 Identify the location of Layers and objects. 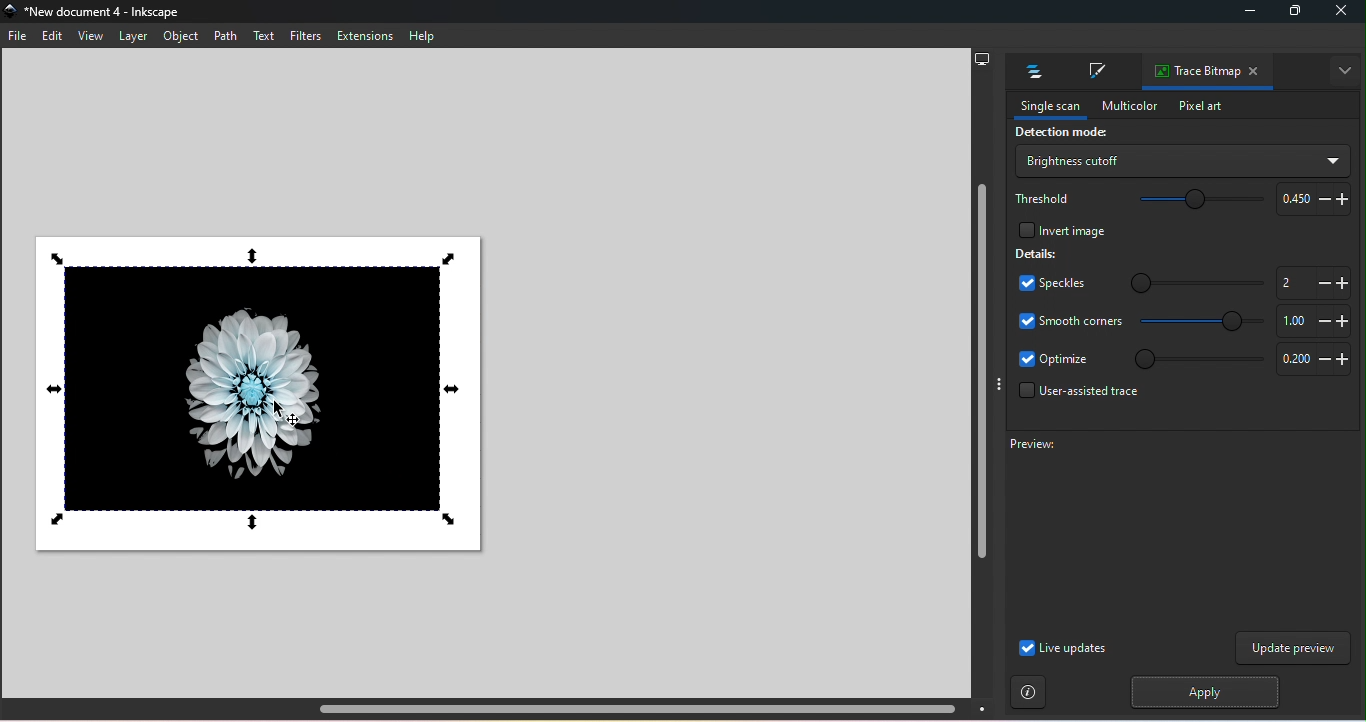
(1029, 72).